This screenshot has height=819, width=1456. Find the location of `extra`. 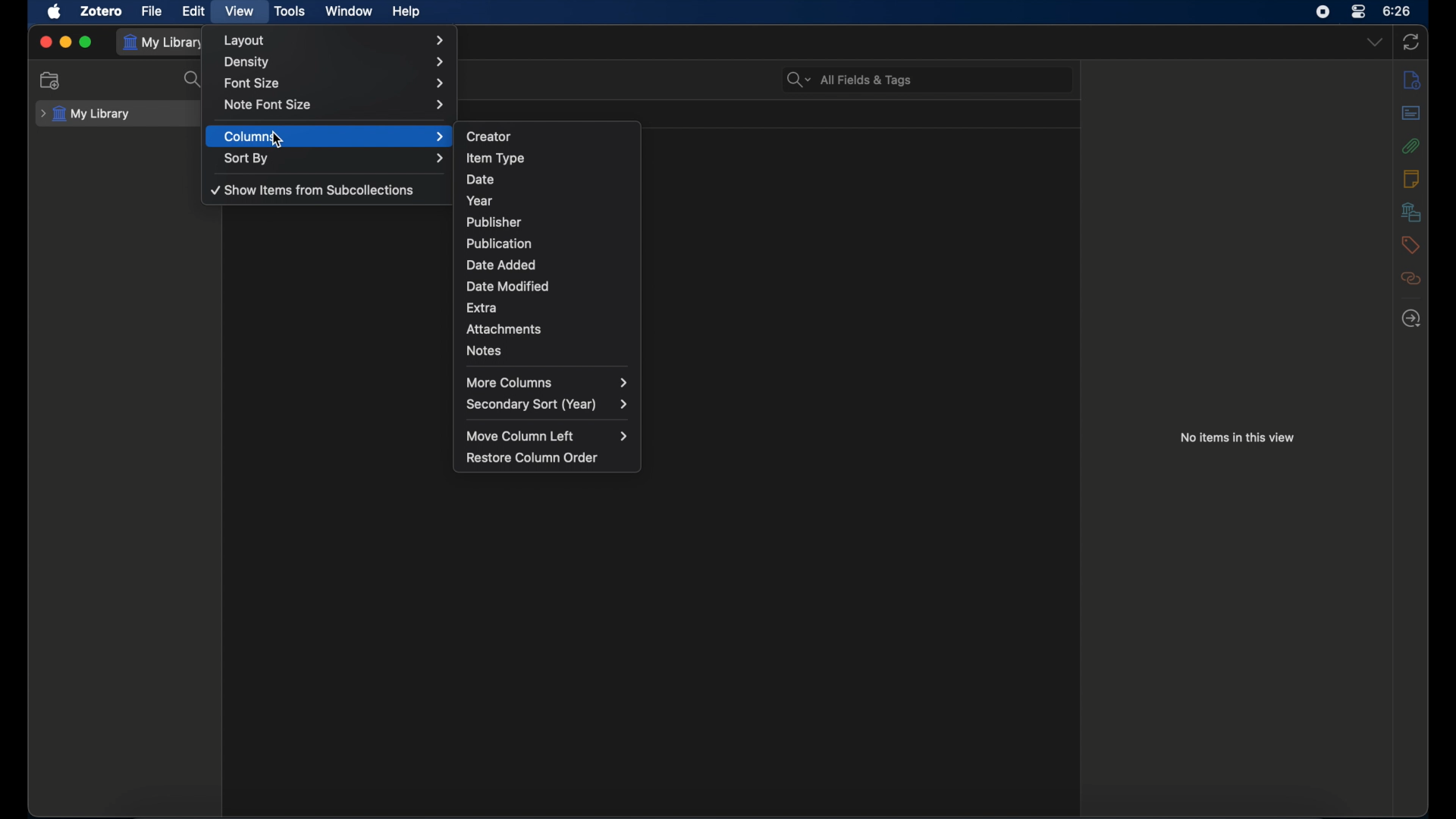

extra is located at coordinates (548, 308).